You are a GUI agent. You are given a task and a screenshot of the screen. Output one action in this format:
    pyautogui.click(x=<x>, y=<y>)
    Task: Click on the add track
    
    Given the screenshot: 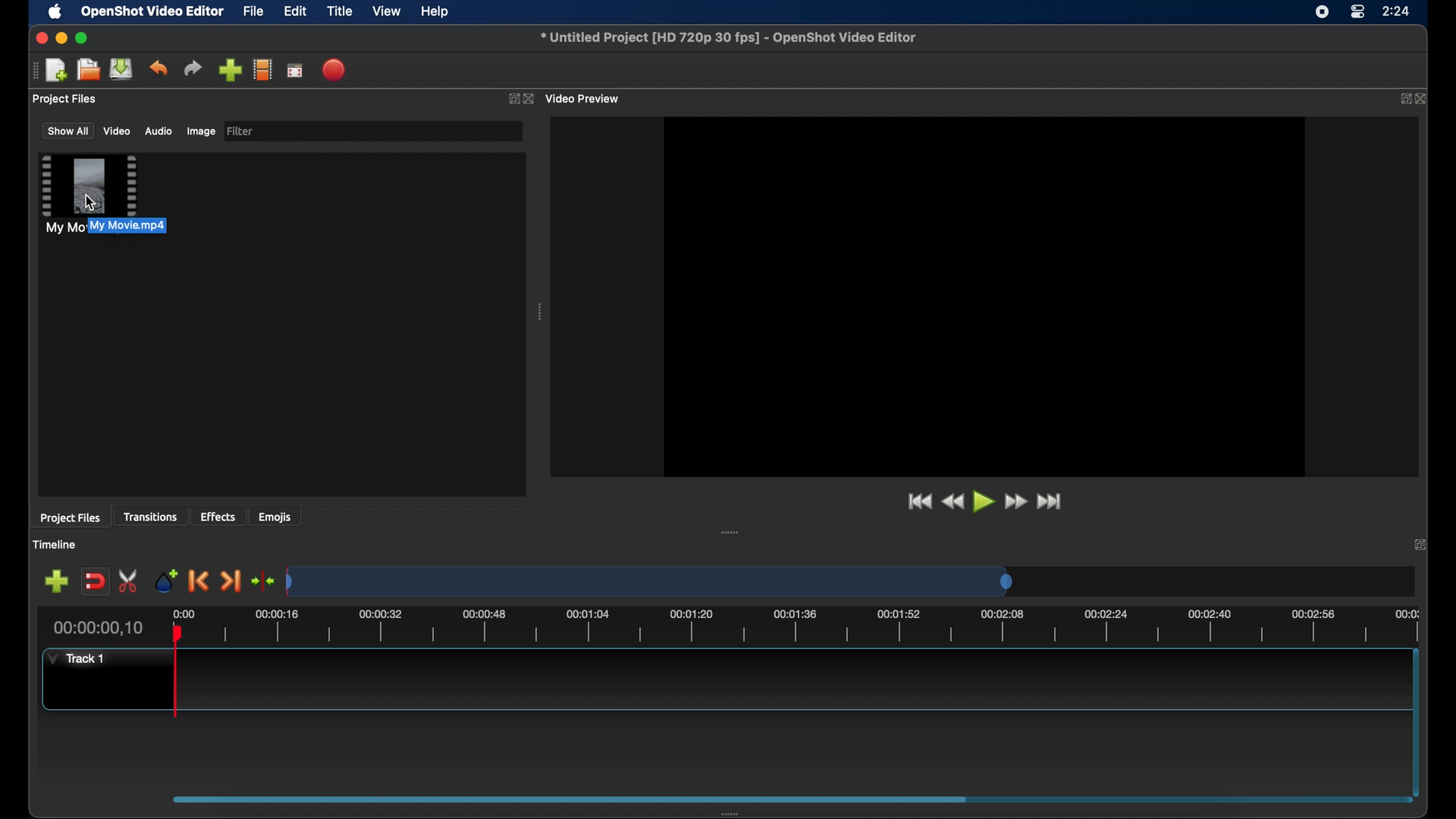 What is the action you would take?
    pyautogui.click(x=56, y=581)
    